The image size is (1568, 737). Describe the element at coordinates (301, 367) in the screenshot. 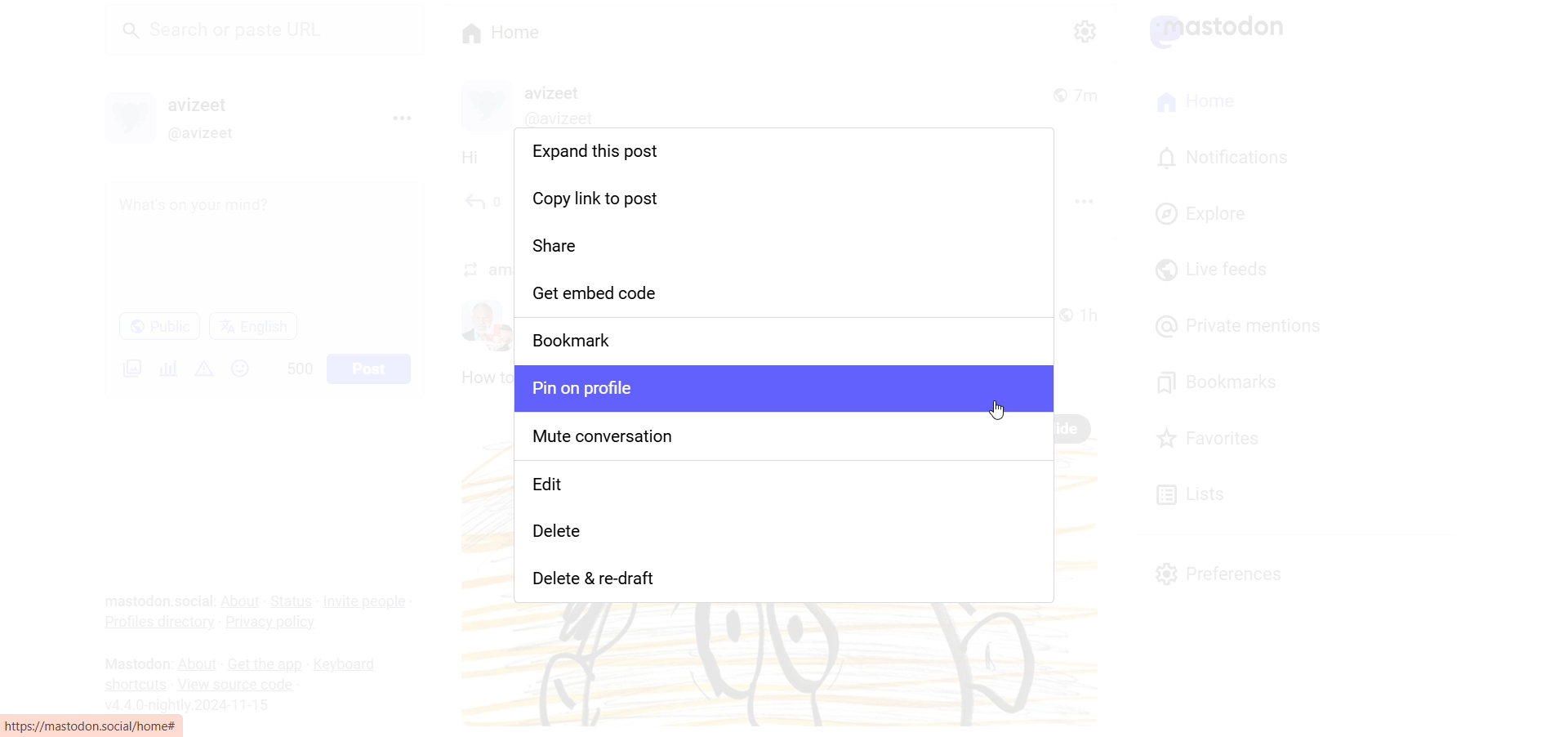

I see `Word Limit` at that location.